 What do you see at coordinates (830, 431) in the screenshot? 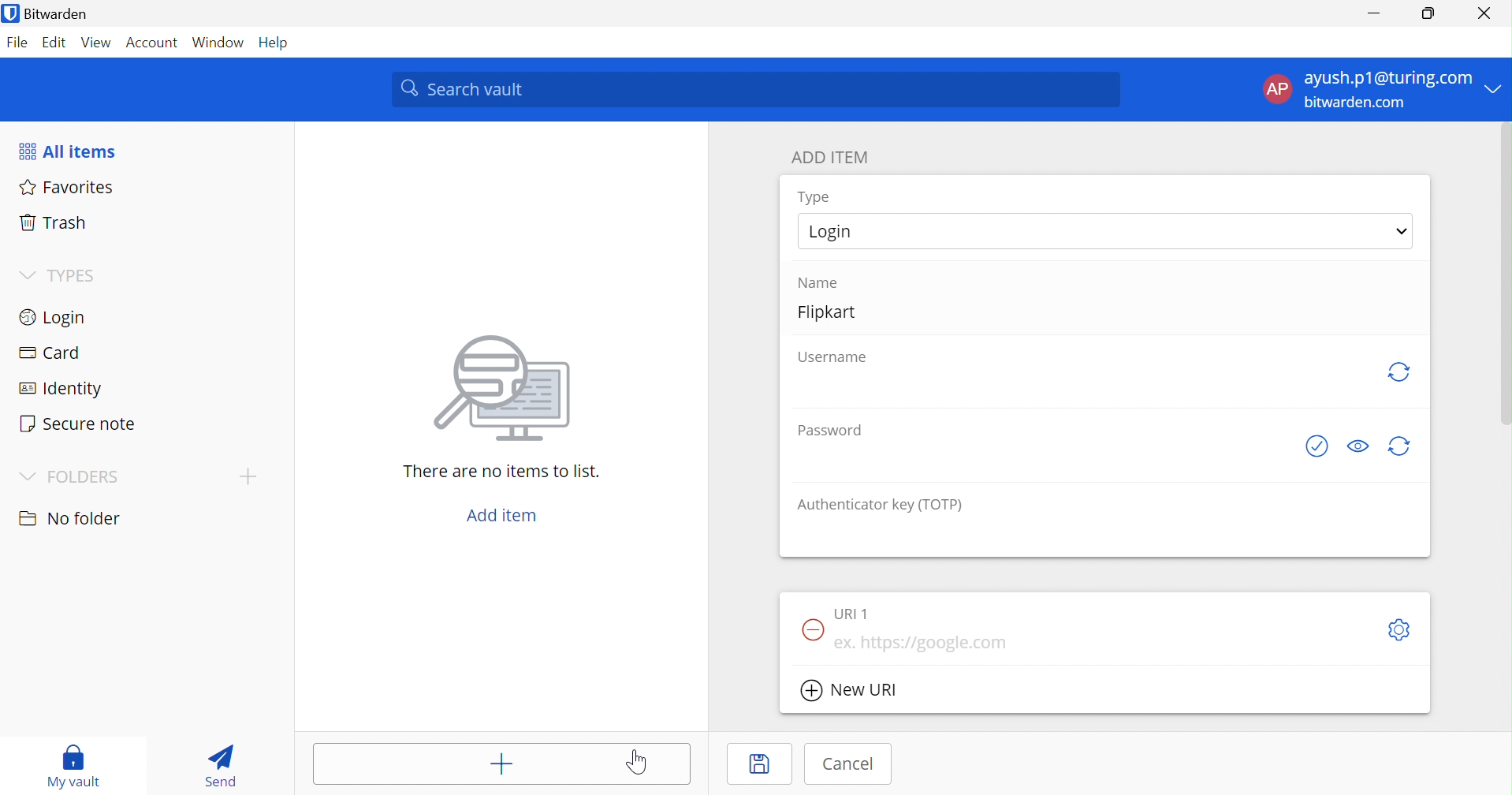
I see `Password` at bounding box center [830, 431].